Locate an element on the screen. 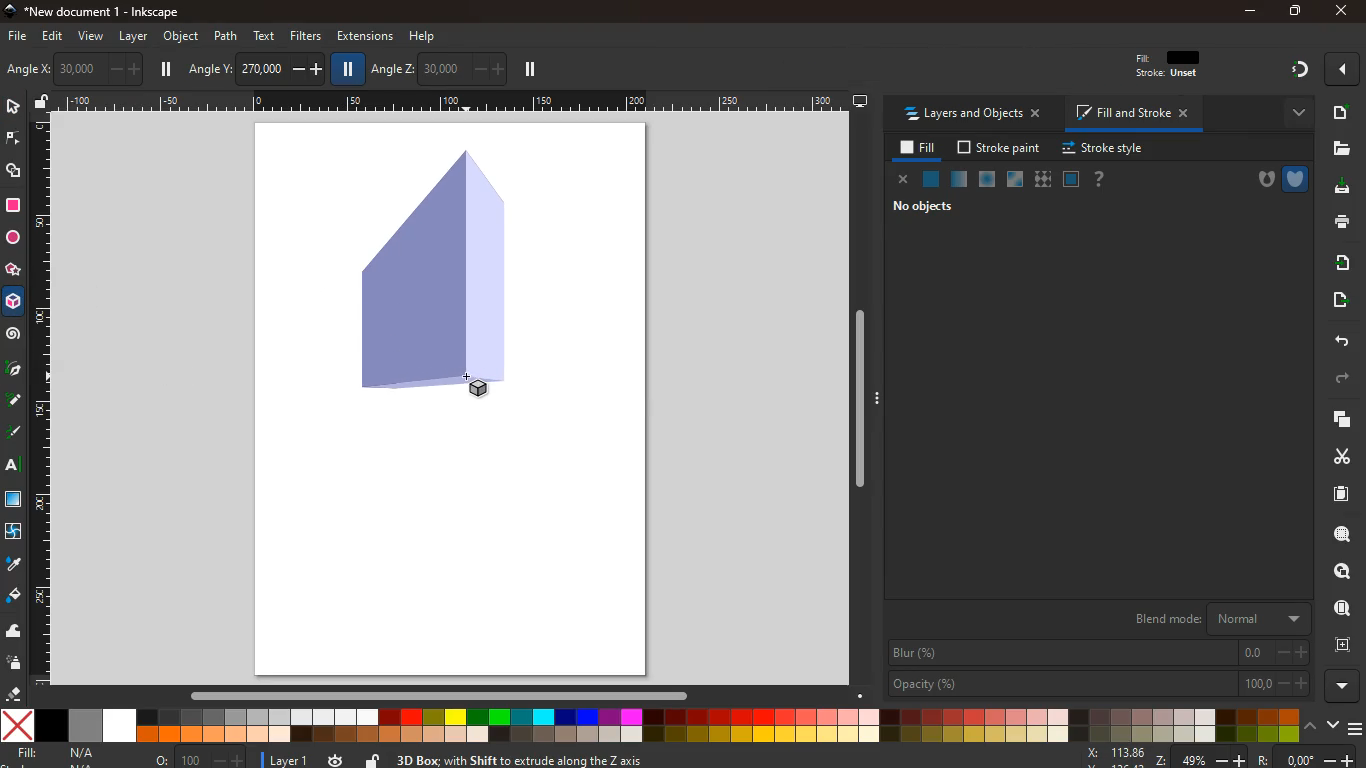  pause is located at coordinates (349, 70).